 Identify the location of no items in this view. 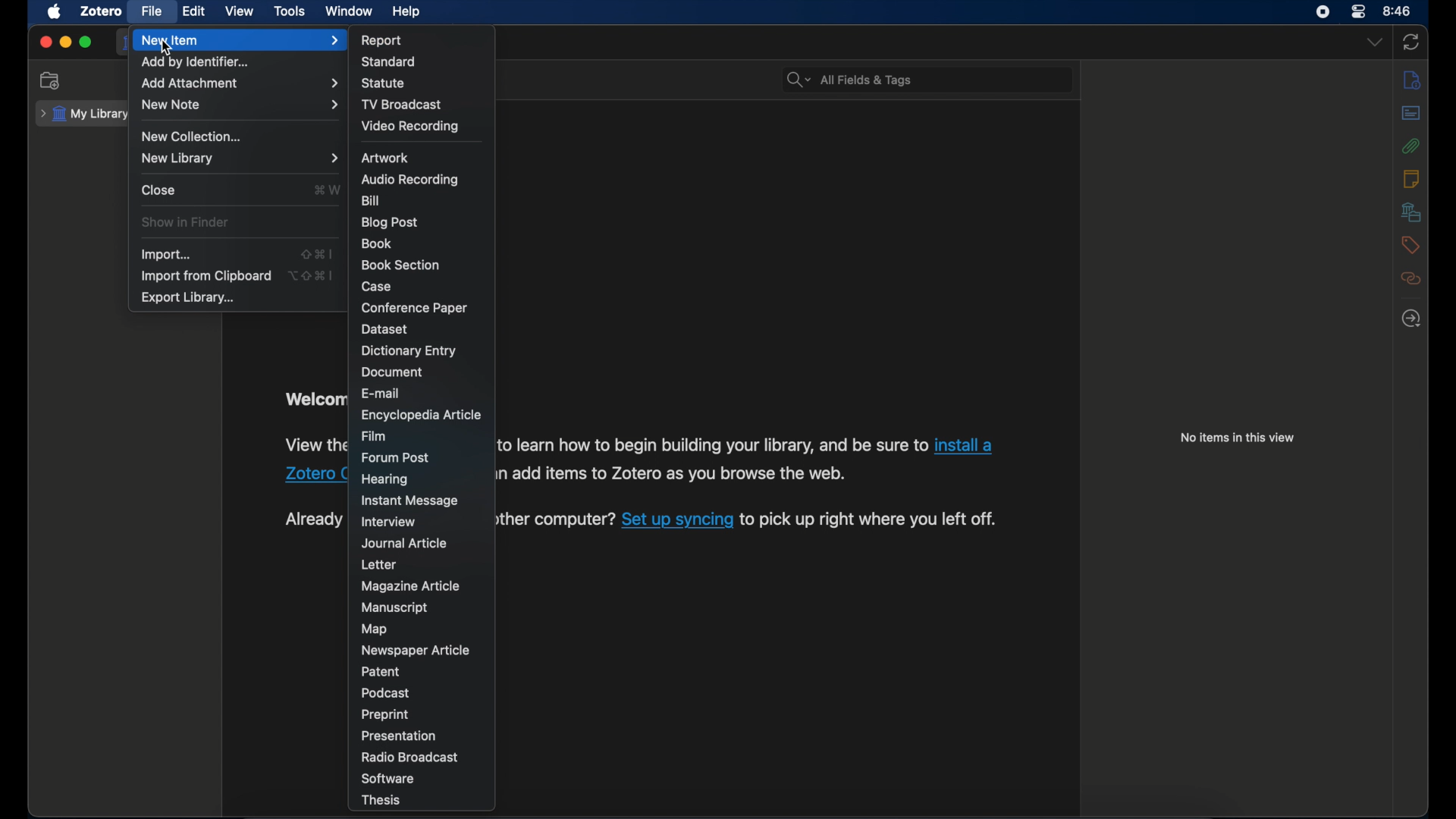
(1238, 437).